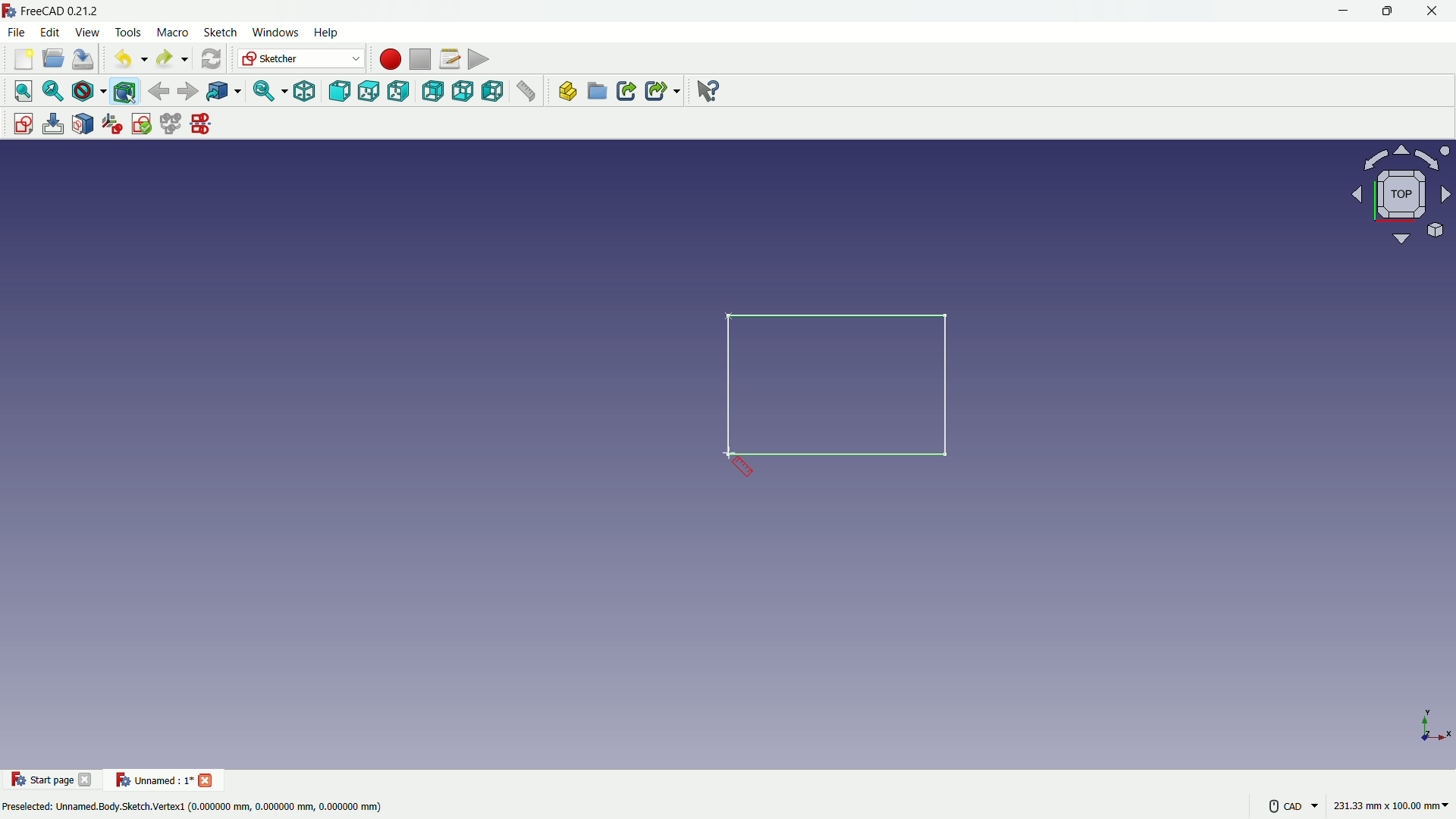 Image resolution: width=1456 pixels, height=819 pixels. I want to click on mirror sketches, so click(200, 125).